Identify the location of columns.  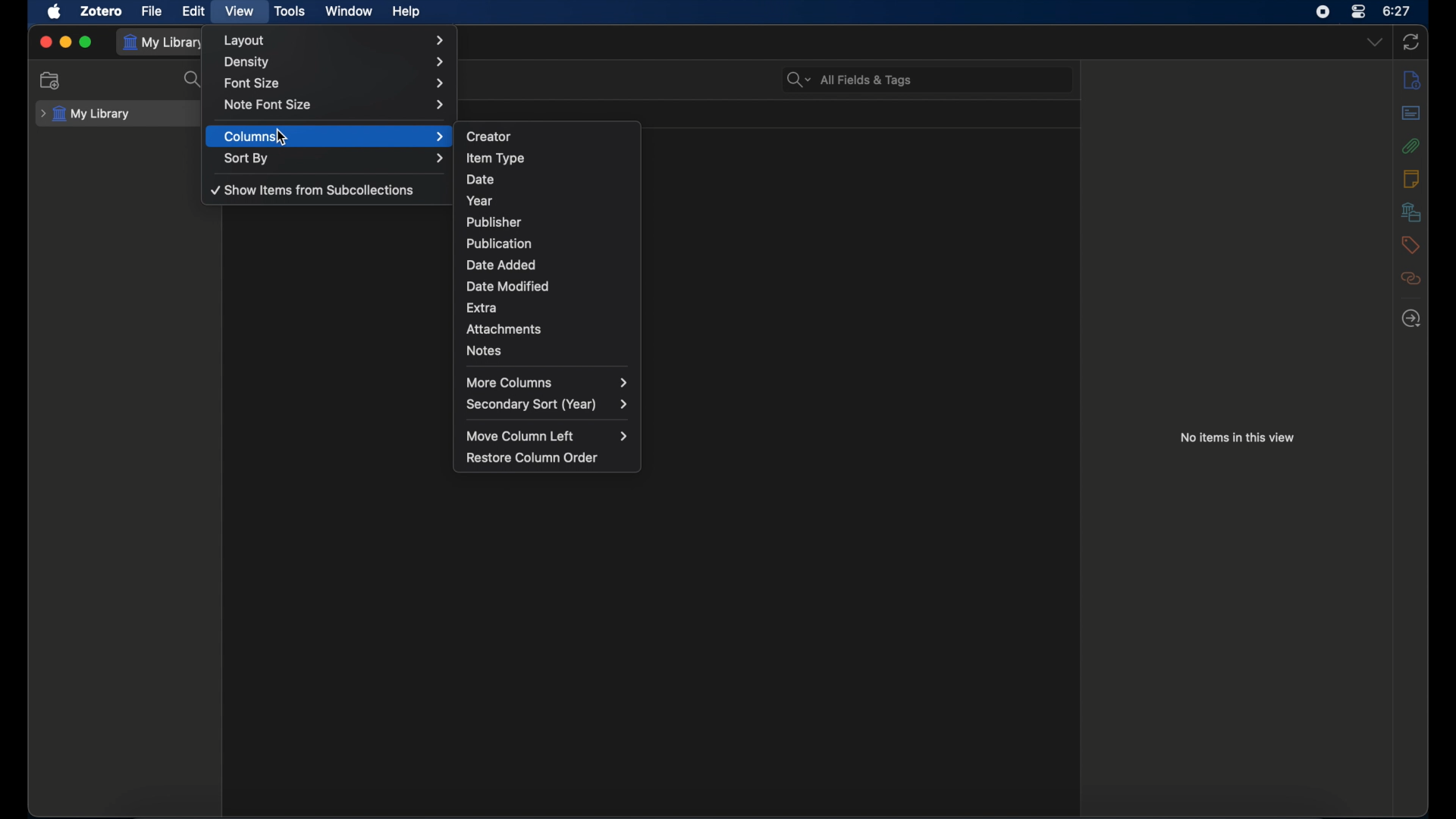
(334, 136).